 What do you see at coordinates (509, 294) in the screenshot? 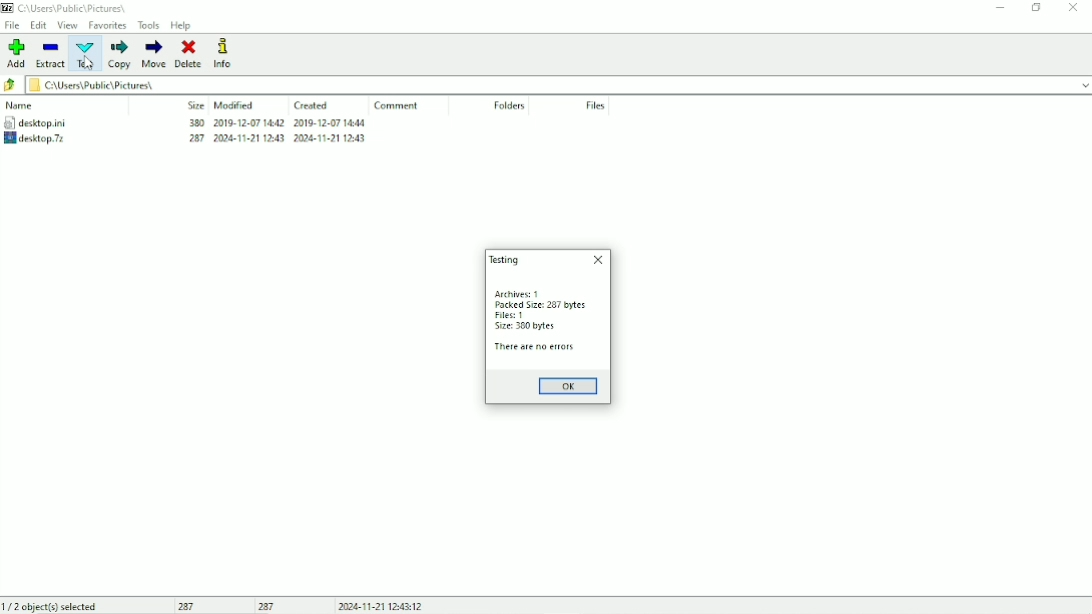
I see `Archives` at bounding box center [509, 294].